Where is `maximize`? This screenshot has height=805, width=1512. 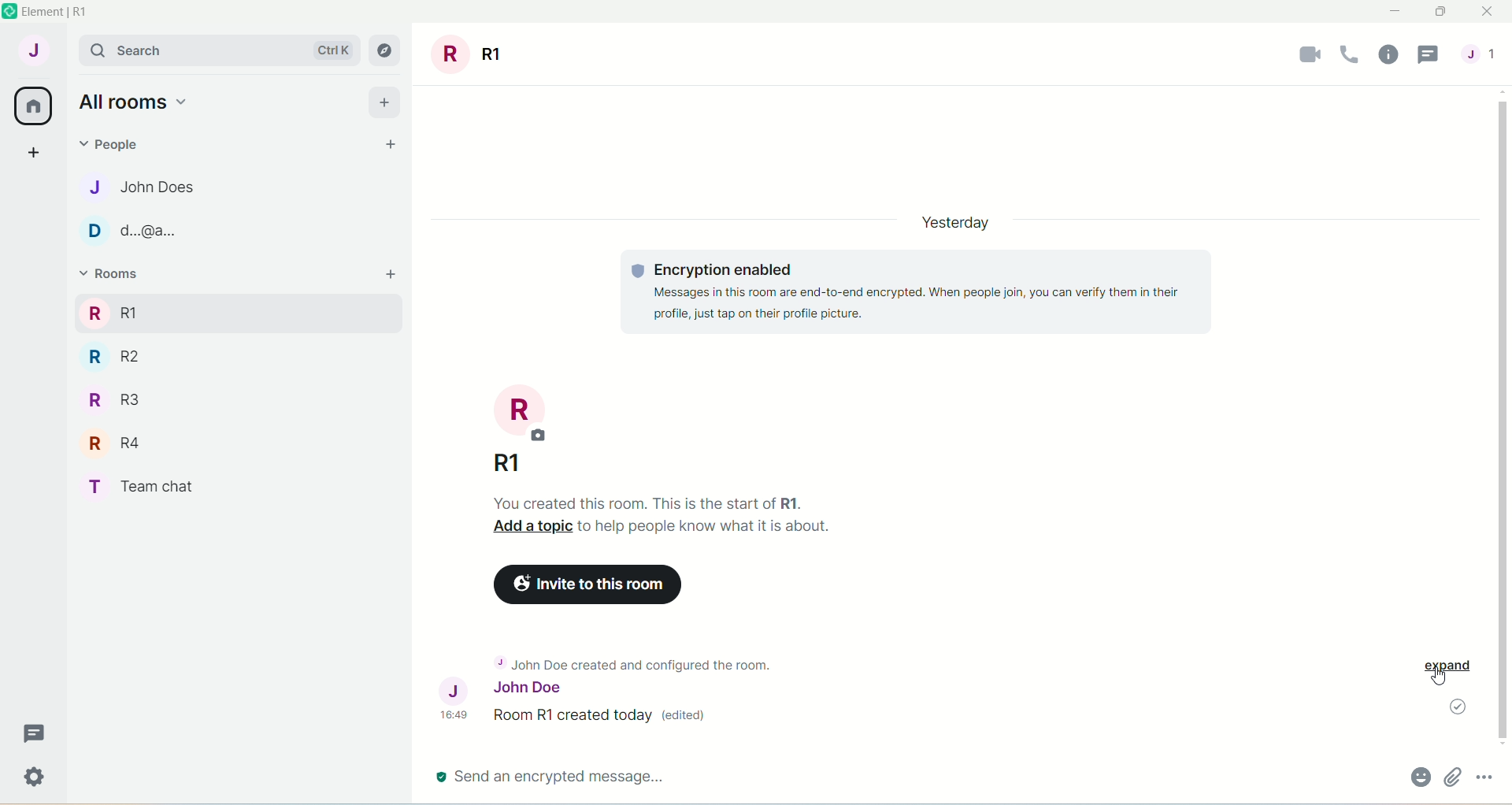
maximize is located at coordinates (1443, 11).